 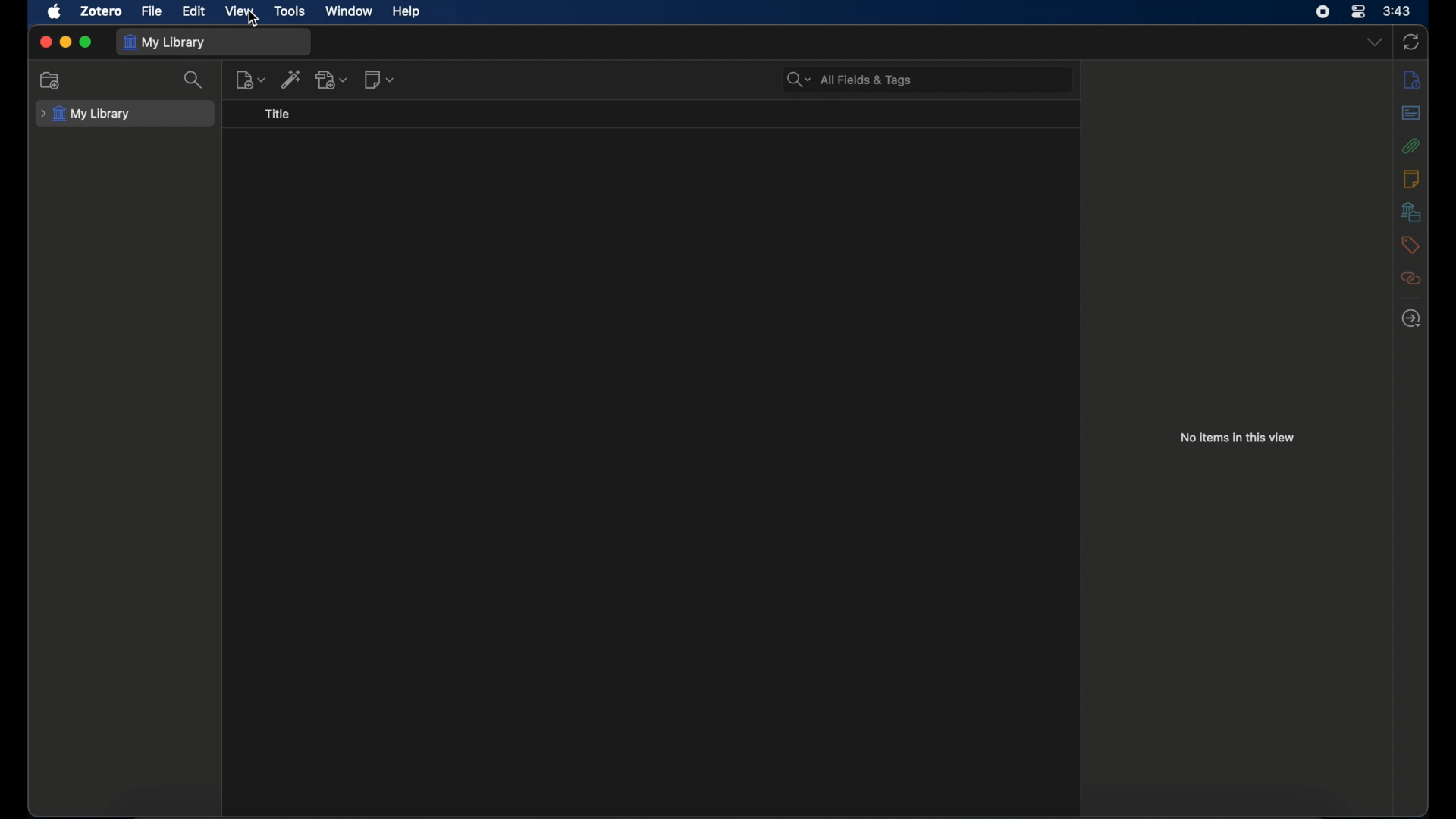 I want to click on add attachment, so click(x=333, y=80).